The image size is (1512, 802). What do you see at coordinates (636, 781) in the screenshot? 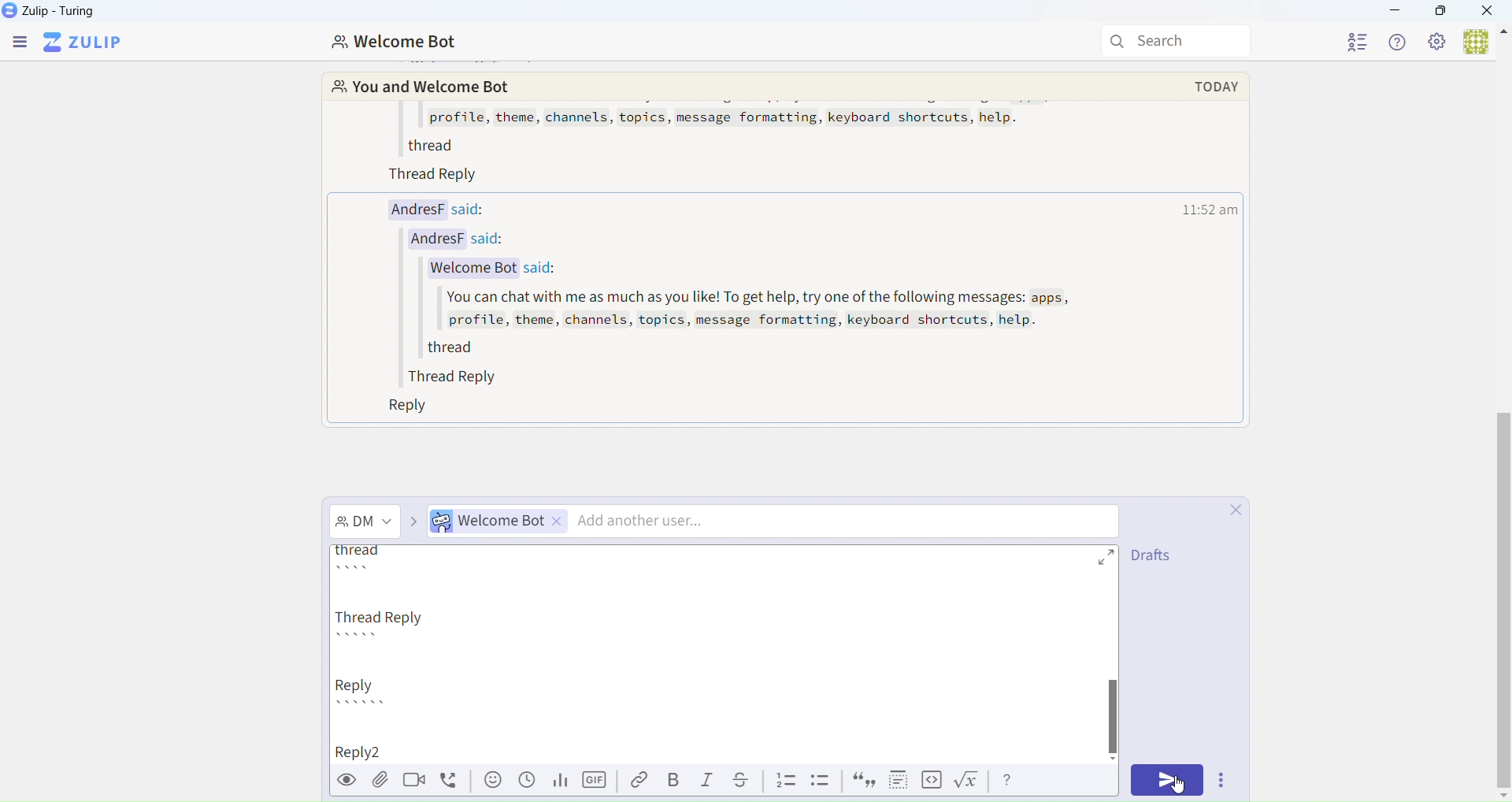
I see `Link` at bounding box center [636, 781].